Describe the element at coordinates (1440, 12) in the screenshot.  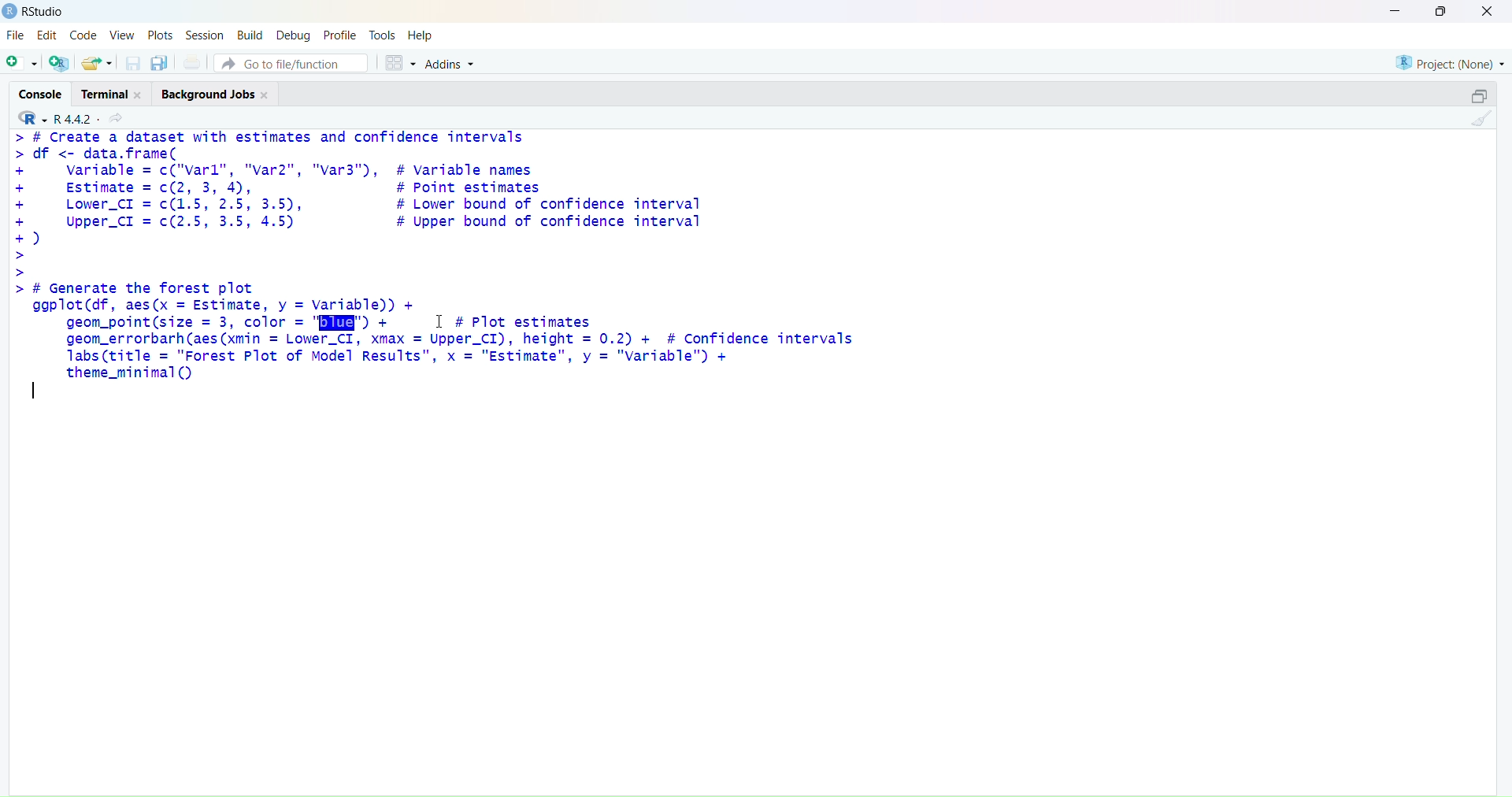
I see `maximiz` at that location.